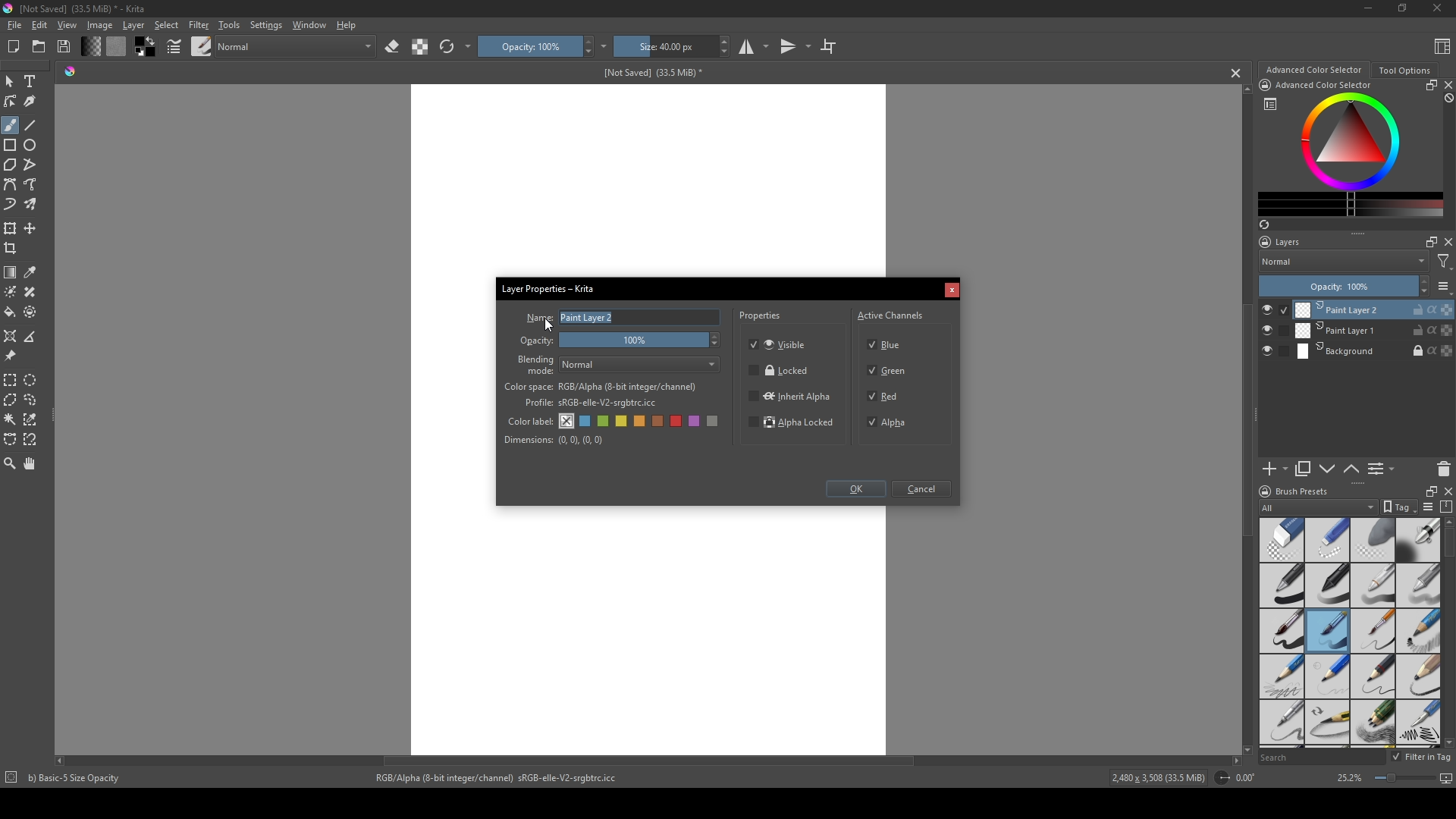  What do you see at coordinates (1419, 676) in the screenshot?
I see `pencil` at bounding box center [1419, 676].